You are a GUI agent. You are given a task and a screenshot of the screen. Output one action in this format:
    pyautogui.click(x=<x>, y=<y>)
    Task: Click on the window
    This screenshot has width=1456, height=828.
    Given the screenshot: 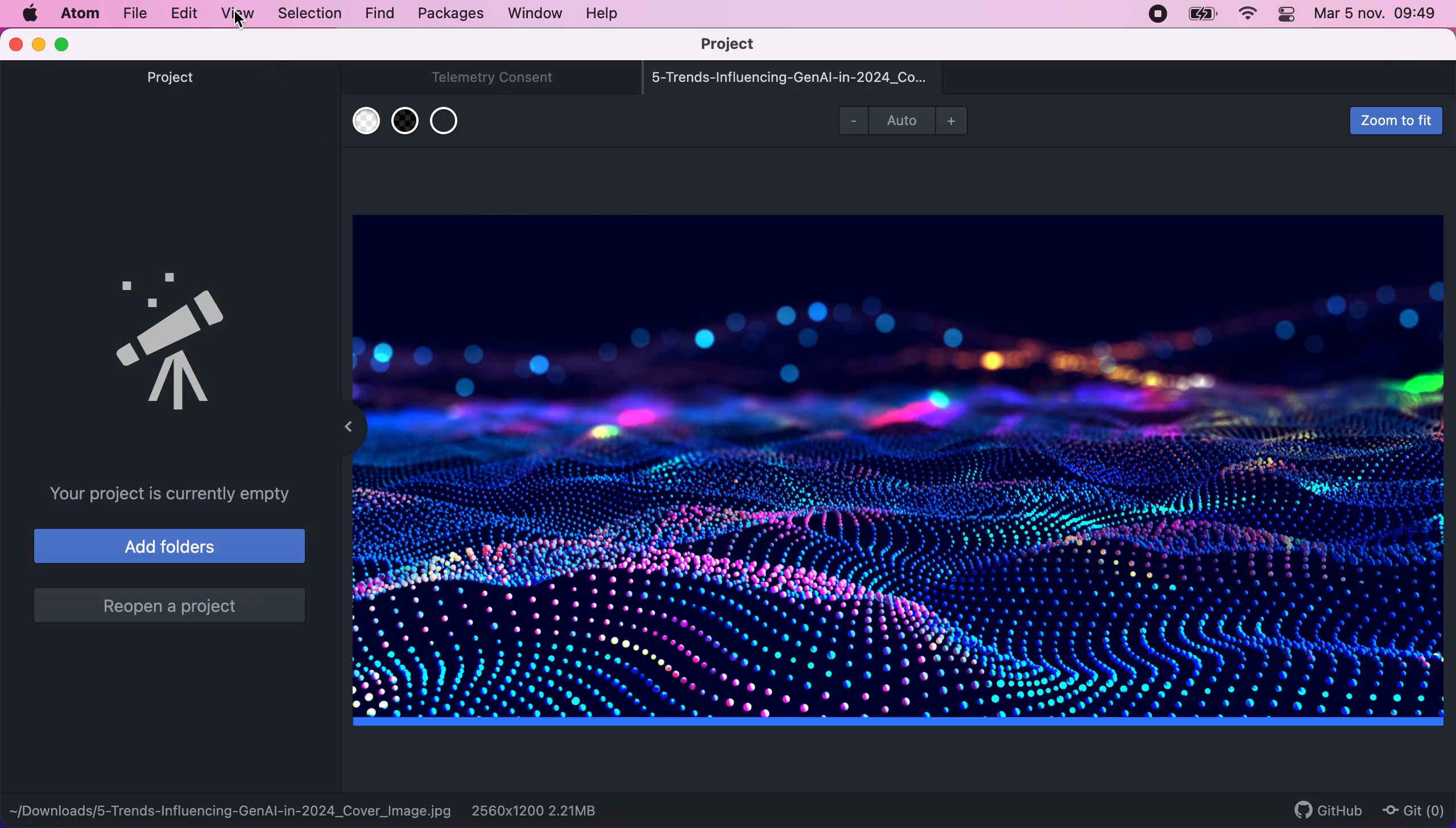 What is the action you would take?
    pyautogui.click(x=535, y=16)
    